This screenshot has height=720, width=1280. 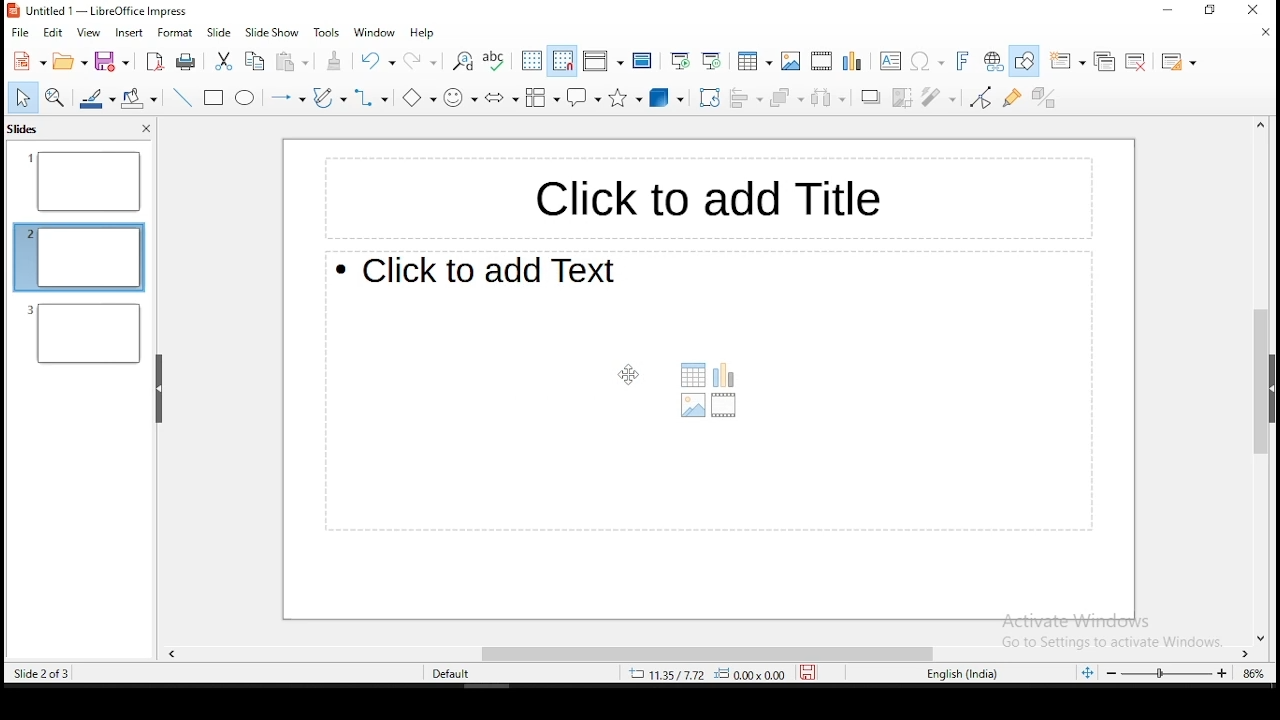 What do you see at coordinates (369, 98) in the screenshot?
I see `connectors` at bounding box center [369, 98].